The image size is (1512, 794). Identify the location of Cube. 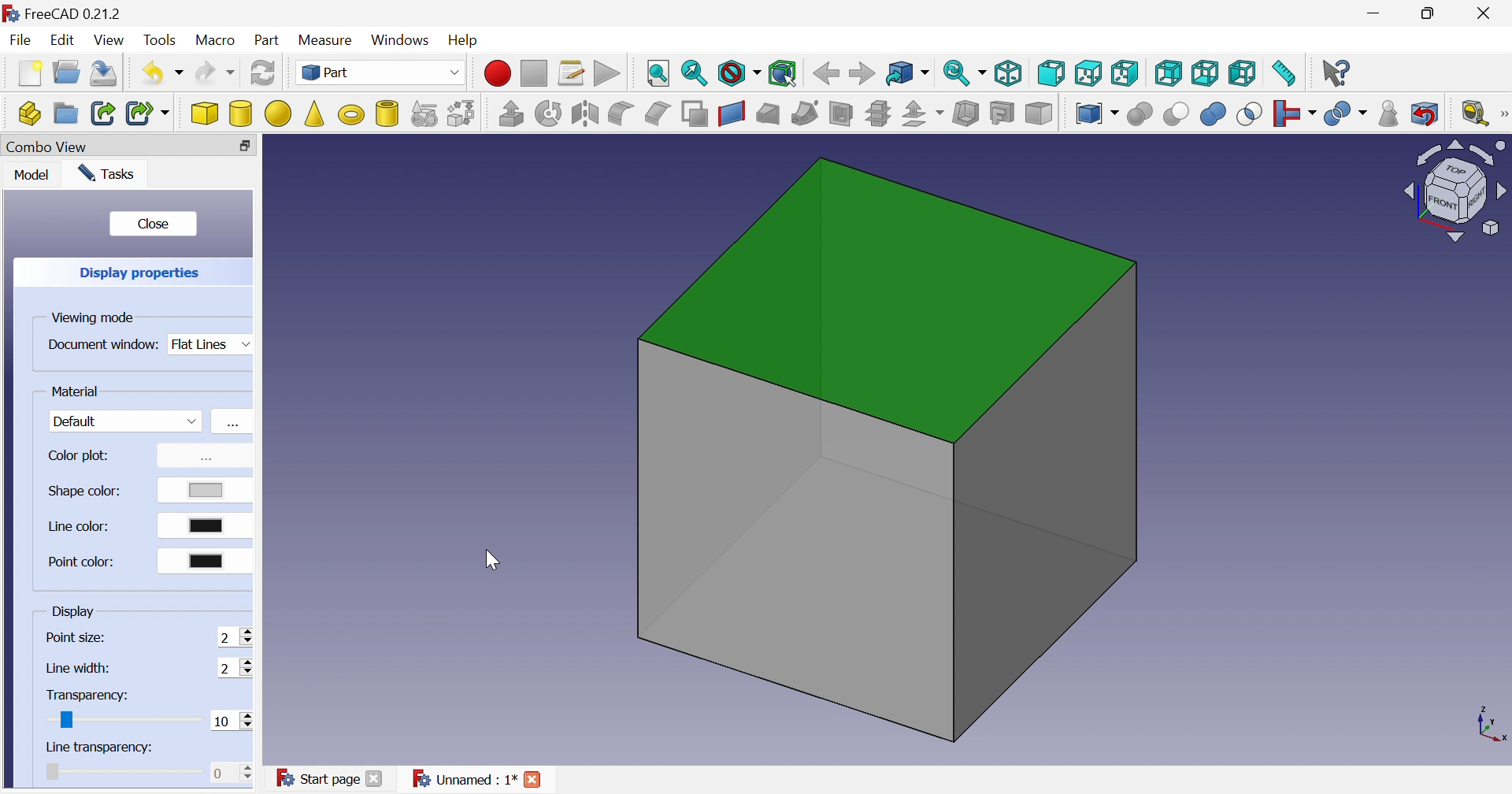
(887, 448).